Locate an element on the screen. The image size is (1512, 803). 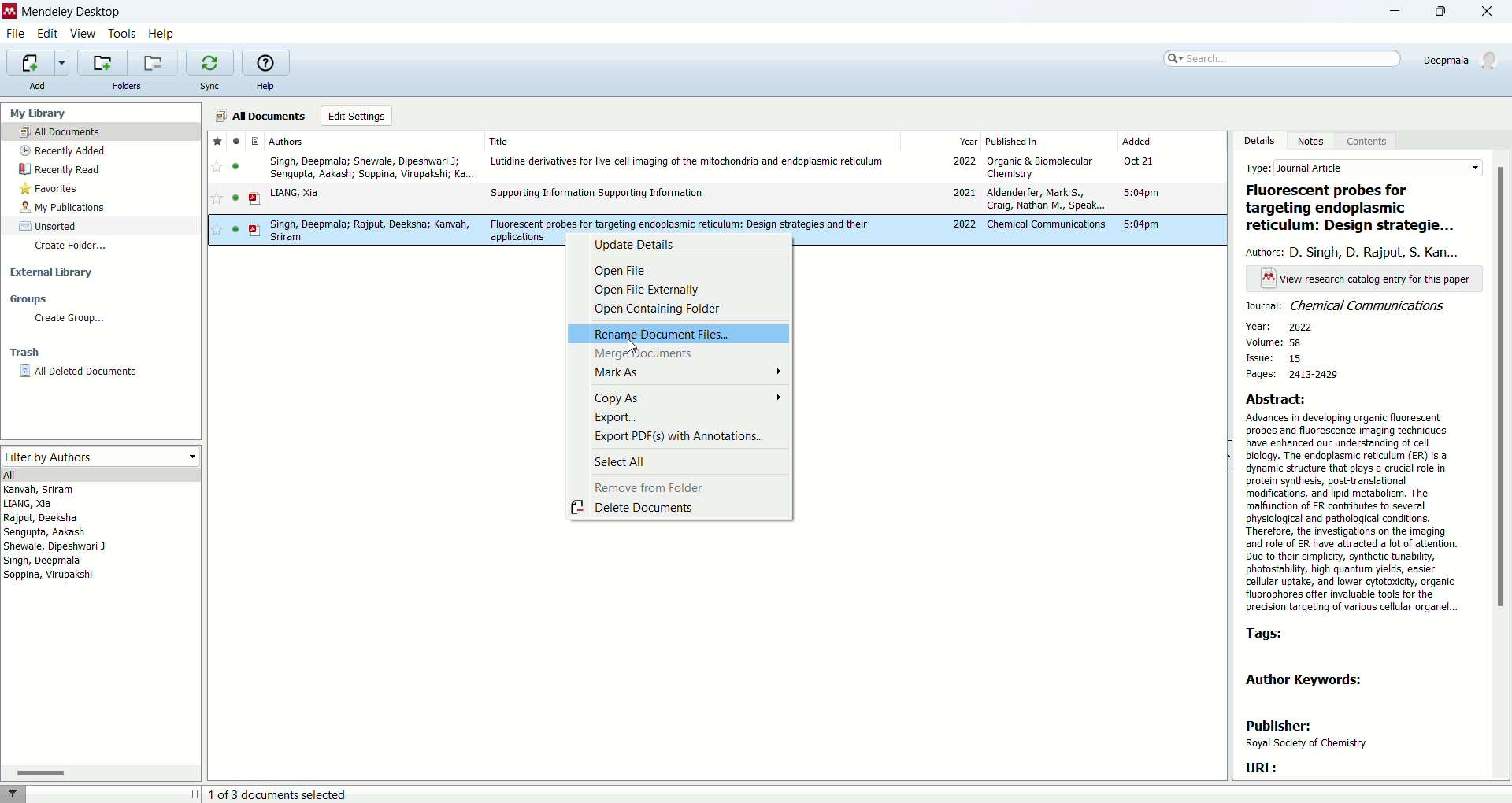
favorite is located at coordinates (215, 201).